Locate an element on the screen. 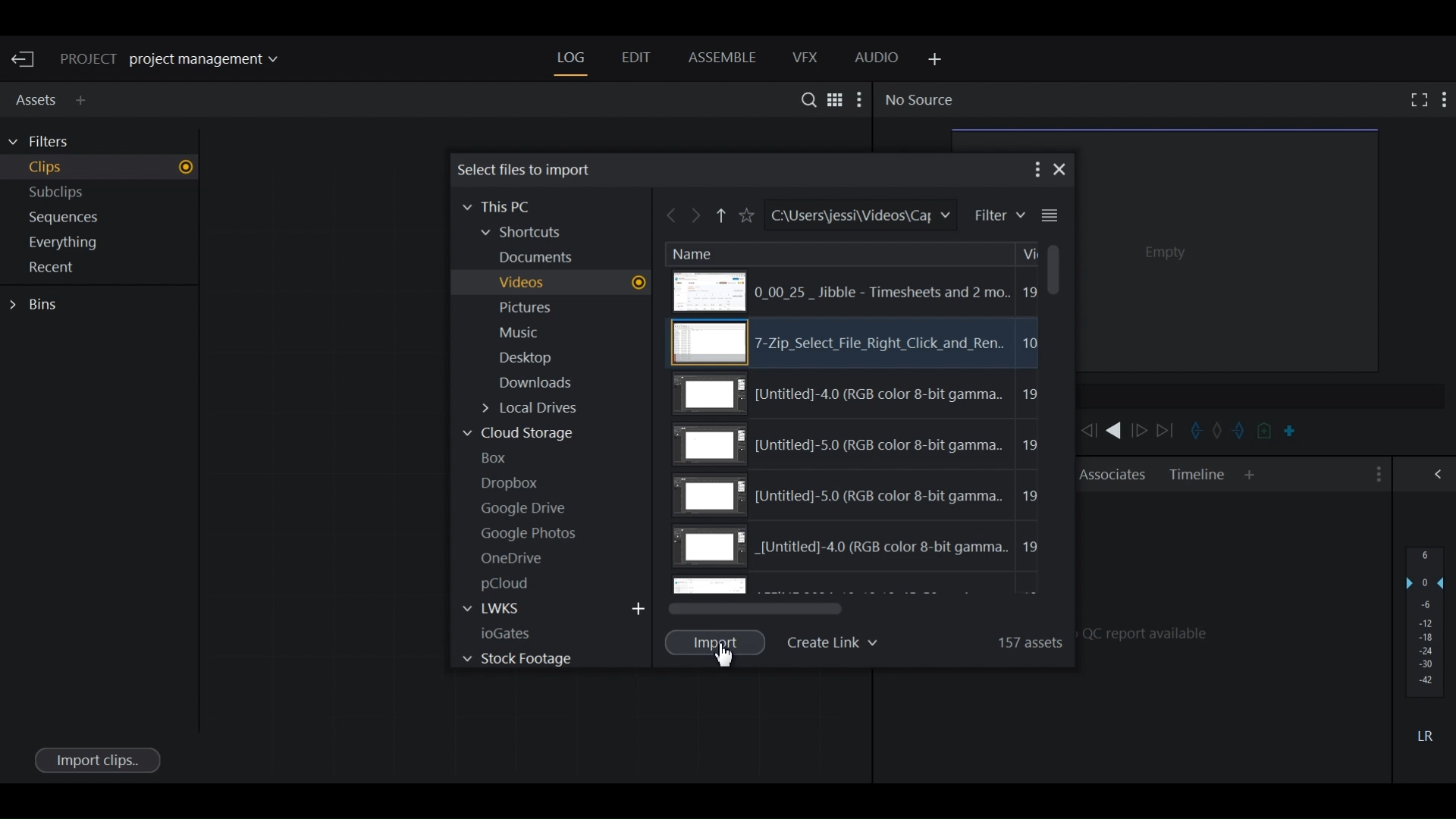 This screenshot has height=819, width=1456. Shortcuts is located at coordinates (531, 234).